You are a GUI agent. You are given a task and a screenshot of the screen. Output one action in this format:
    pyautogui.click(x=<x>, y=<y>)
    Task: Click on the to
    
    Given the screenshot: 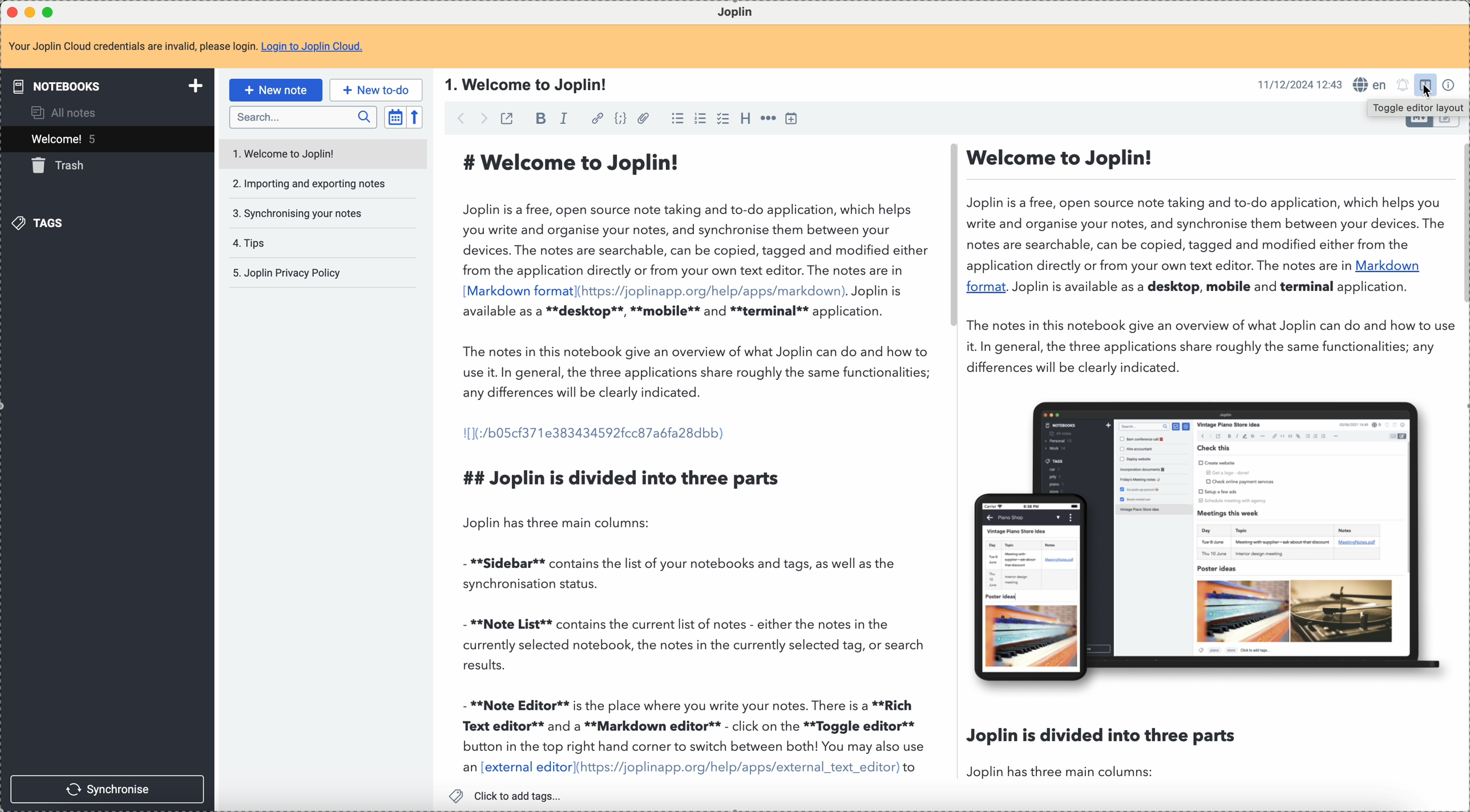 What is the action you would take?
    pyautogui.click(x=910, y=767)
    